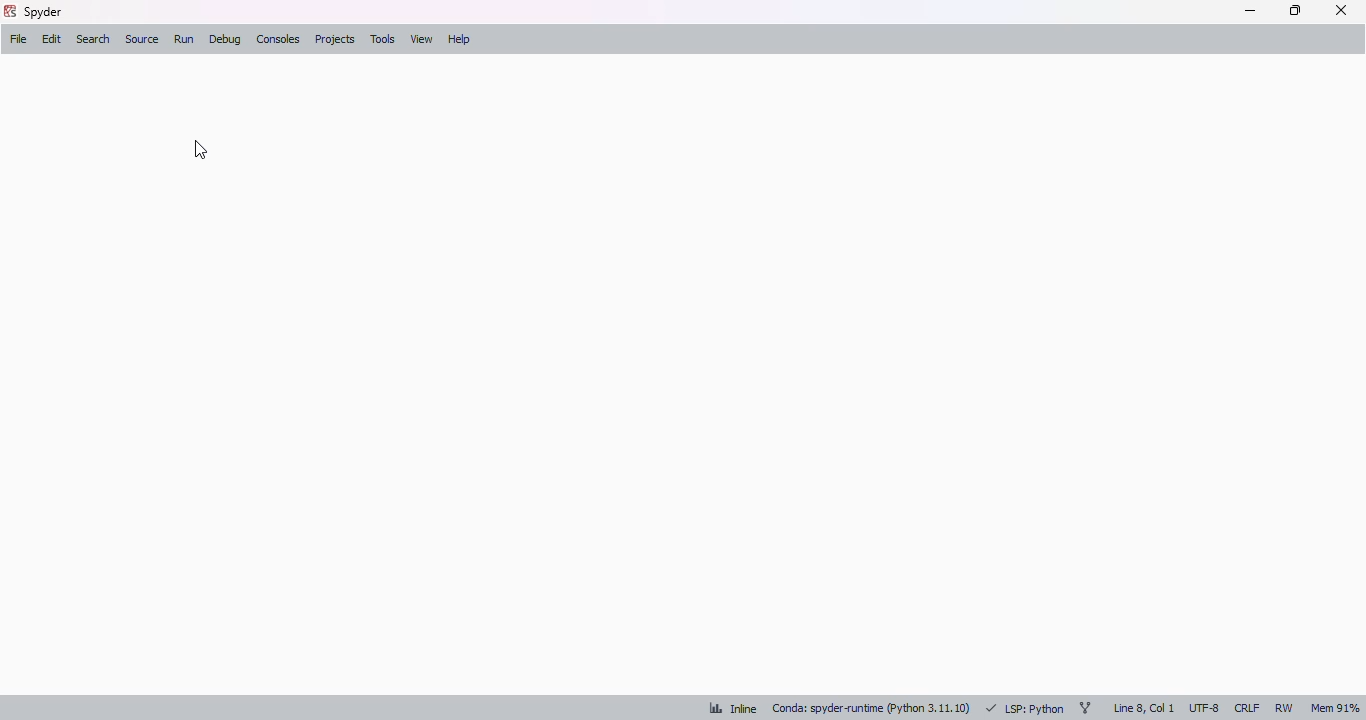 The height and width of the screenshot is (720, 1366). What do you see at coordinates (1285, 707) in the screenshot?
I see `RW` at bounding box center [1285, 707].